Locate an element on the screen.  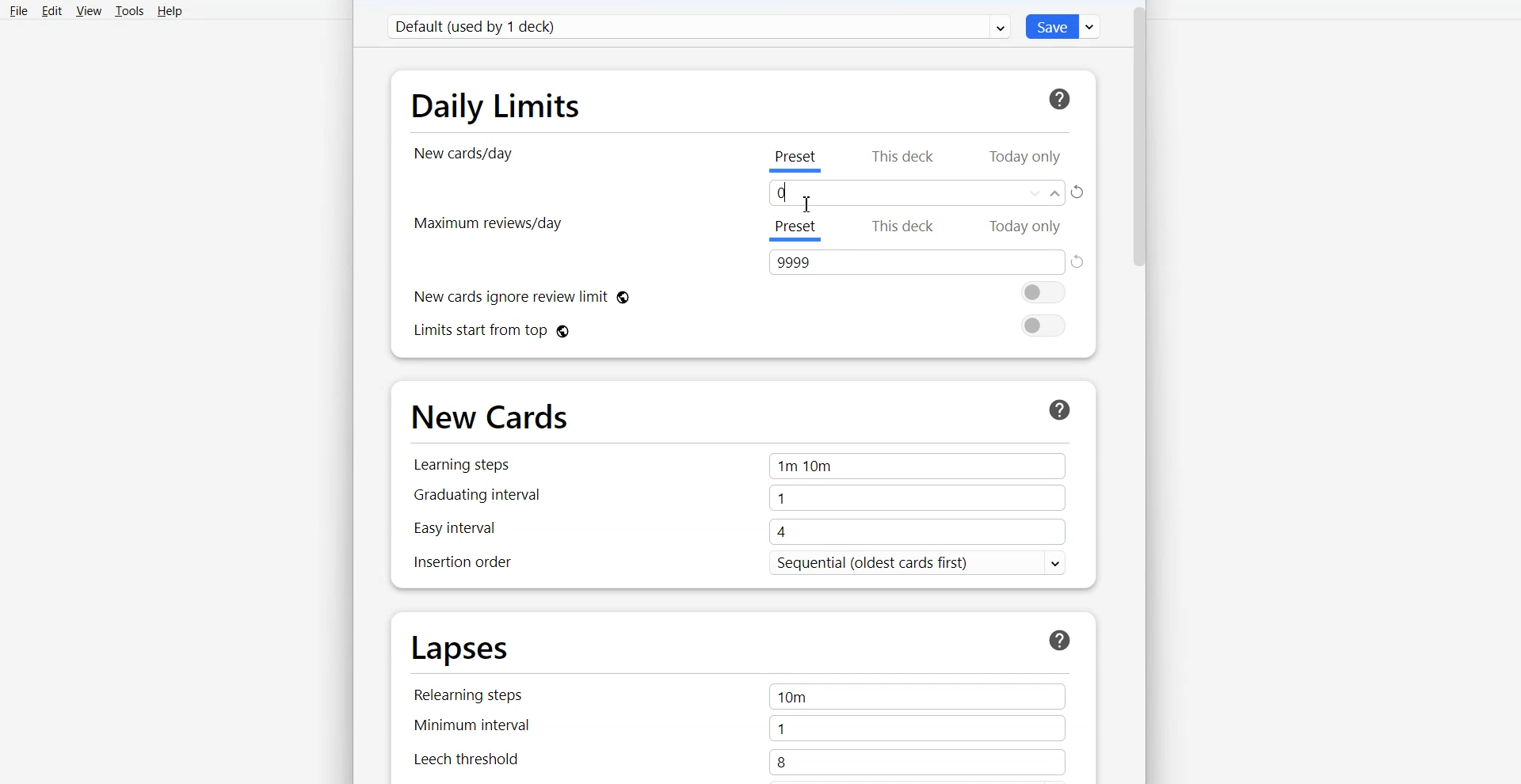
Text Cursor is located at coordinates (806, 204).